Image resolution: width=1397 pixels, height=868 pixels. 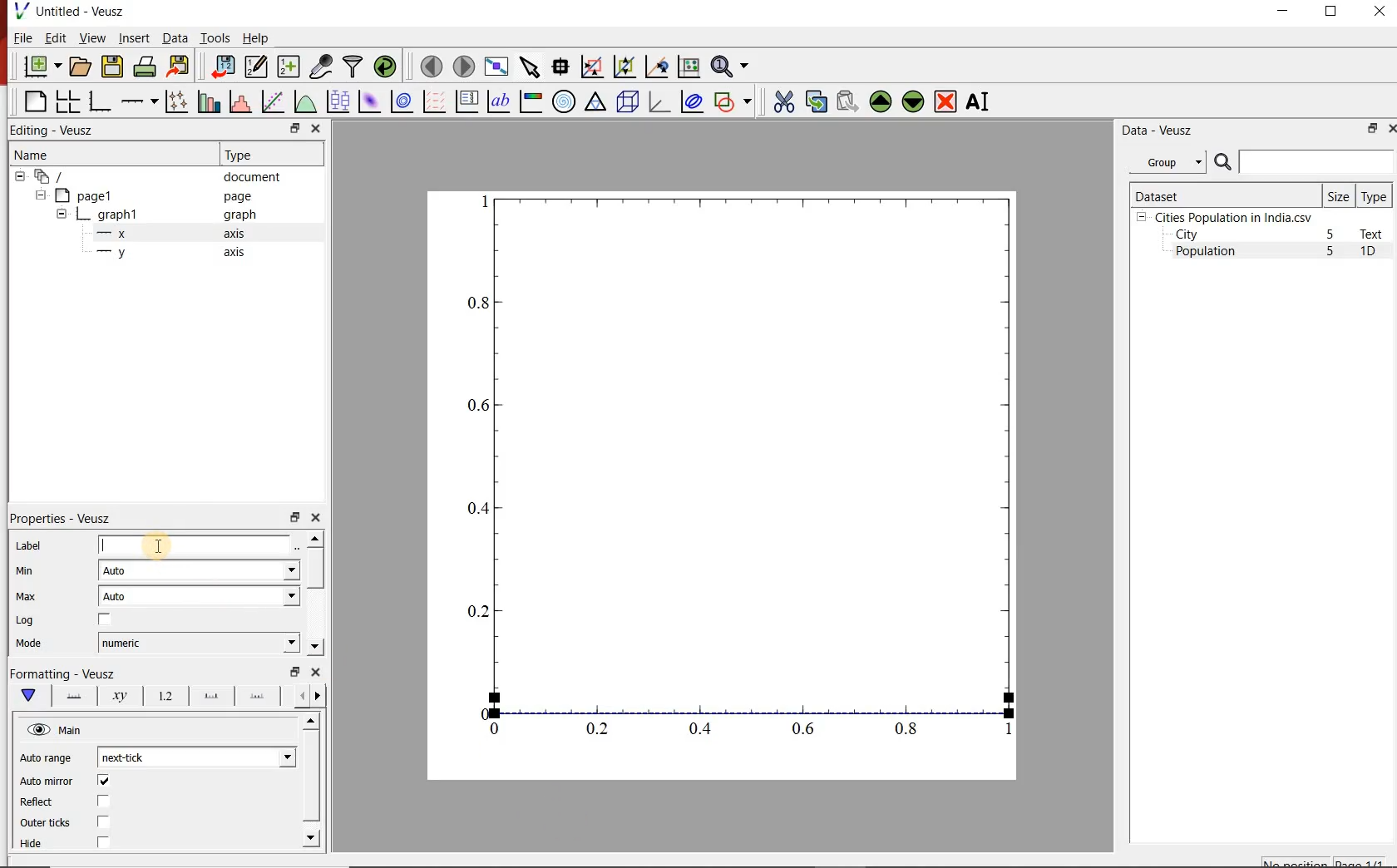 I want to click on plot bar charts, so click(x=206, y=101).